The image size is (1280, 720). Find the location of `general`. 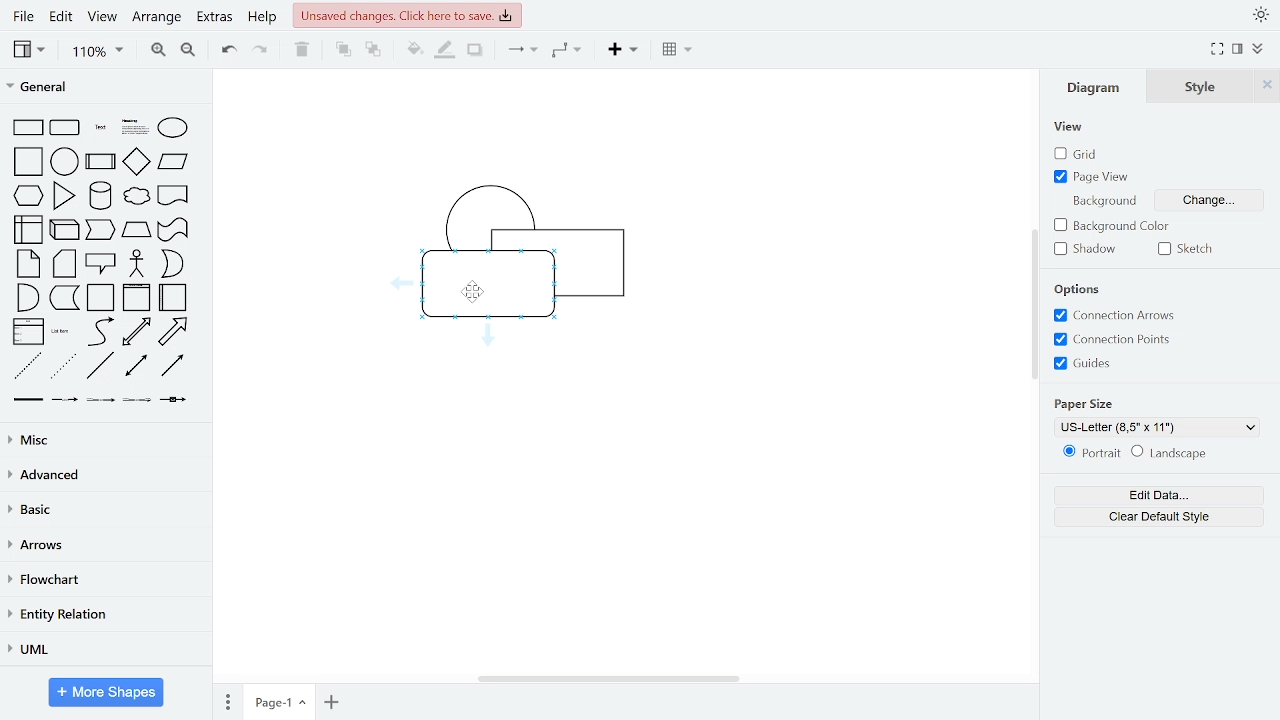

general is located at coordinates (104, 87).